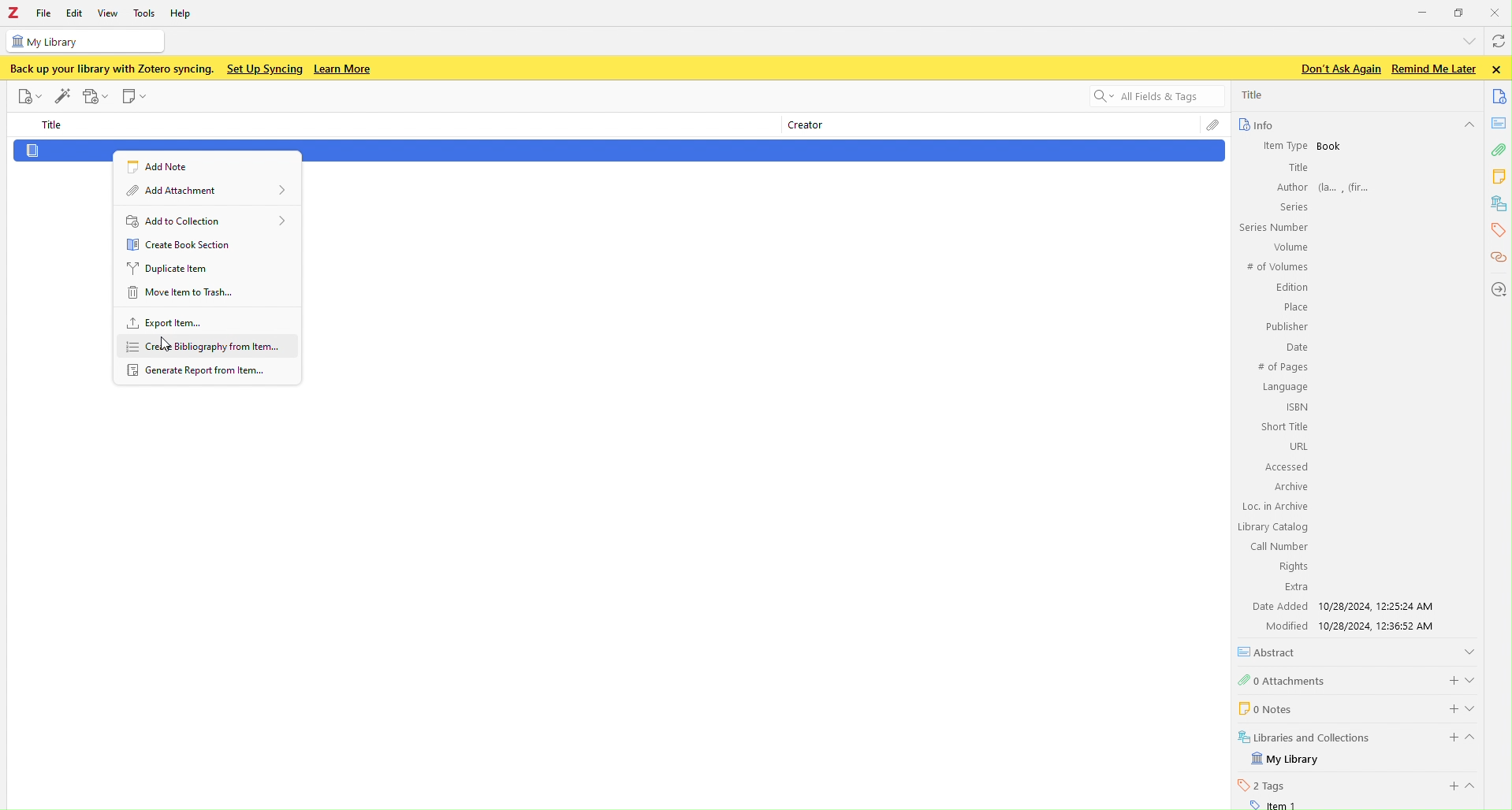 Image resolution: width=1512 pixels, height=810 pixels. What do you see at coordinates (166, 344) in the screenshot?
I see `cursor` at bounding box center [166, 344].